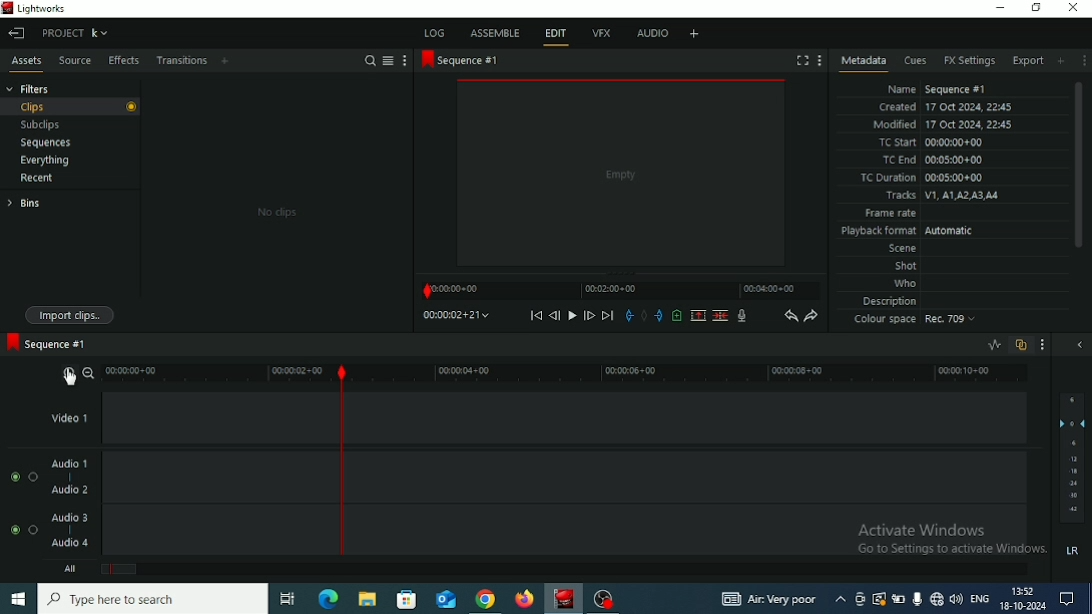 The image size is (1092, 614). What do you see at coordinates (407, 600) in the screenshot?
I see `Taskbar icon` at bounding box center [407, 600].